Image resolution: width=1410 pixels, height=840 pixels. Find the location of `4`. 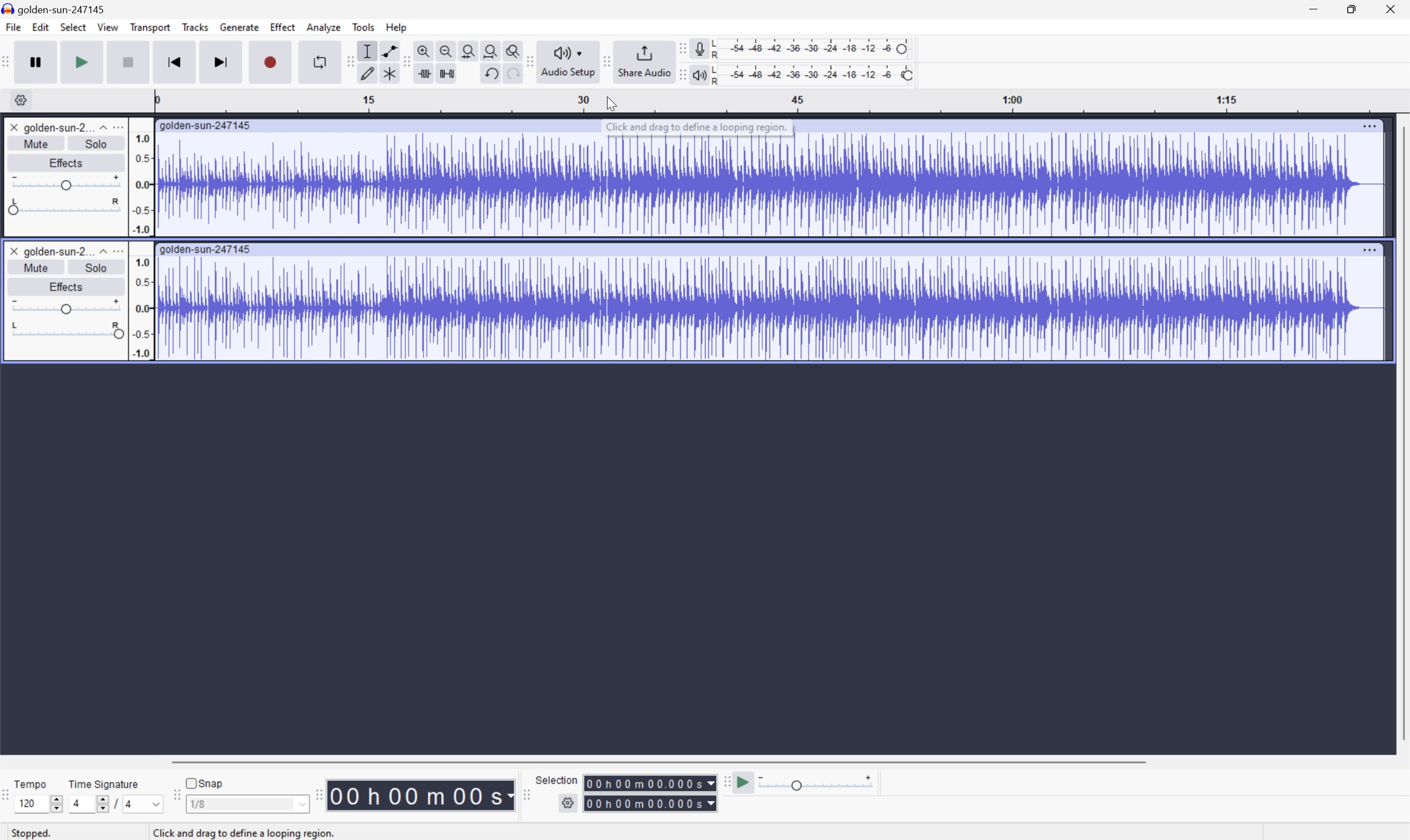

4 is located at coordinates (133, 804).